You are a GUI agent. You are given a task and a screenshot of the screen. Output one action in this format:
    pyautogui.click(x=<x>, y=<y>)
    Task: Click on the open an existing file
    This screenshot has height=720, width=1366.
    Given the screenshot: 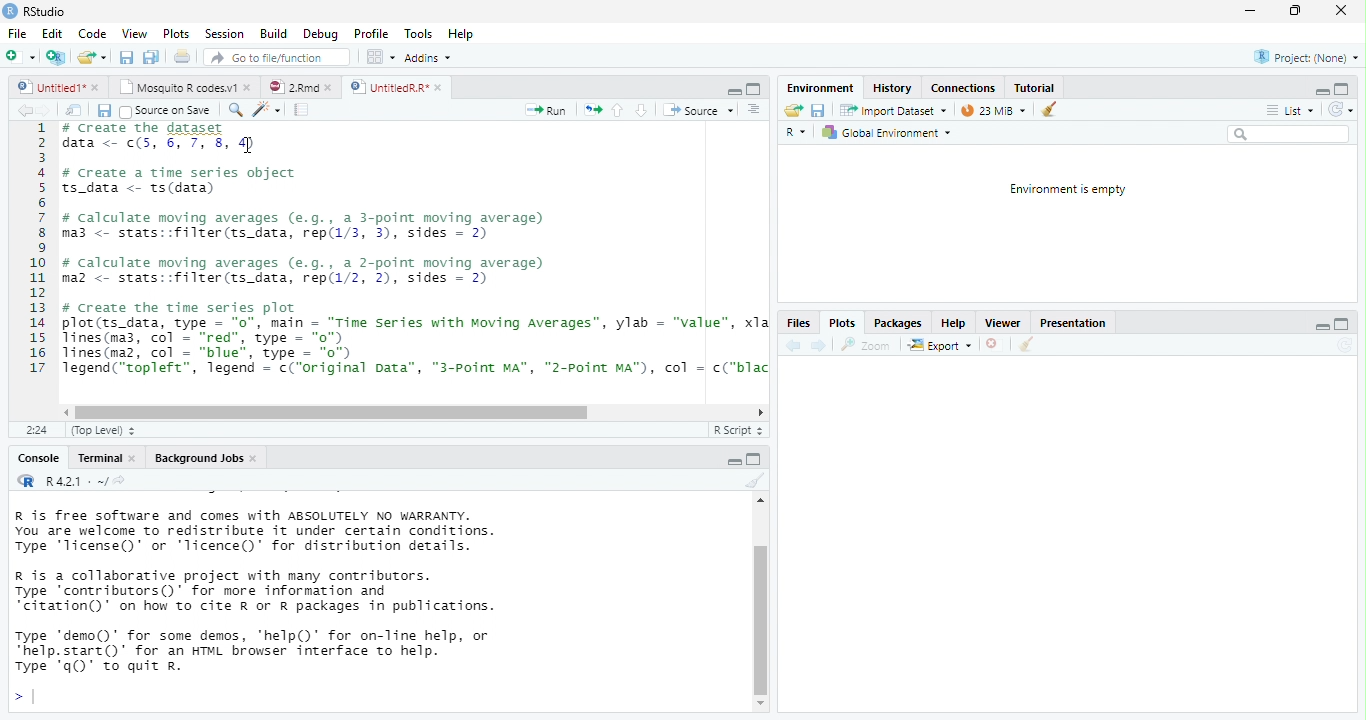 What is the action you would take?
    pyautogui.click(x=92, y=58)
    